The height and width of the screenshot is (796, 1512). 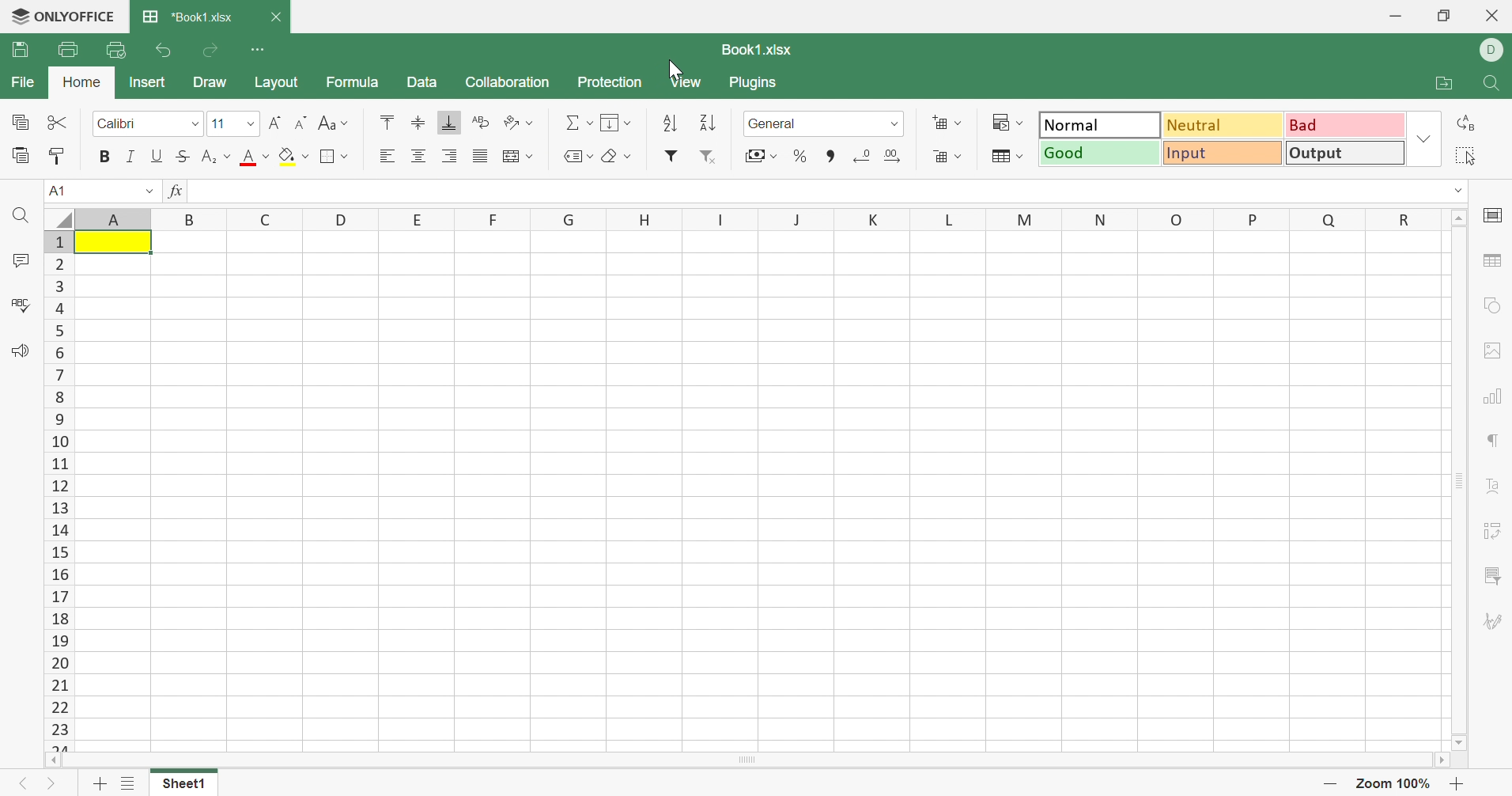 What do you see at coordinates (276, 81) in the screenshot?
I see `Layout` at bounding box center [276, 81].